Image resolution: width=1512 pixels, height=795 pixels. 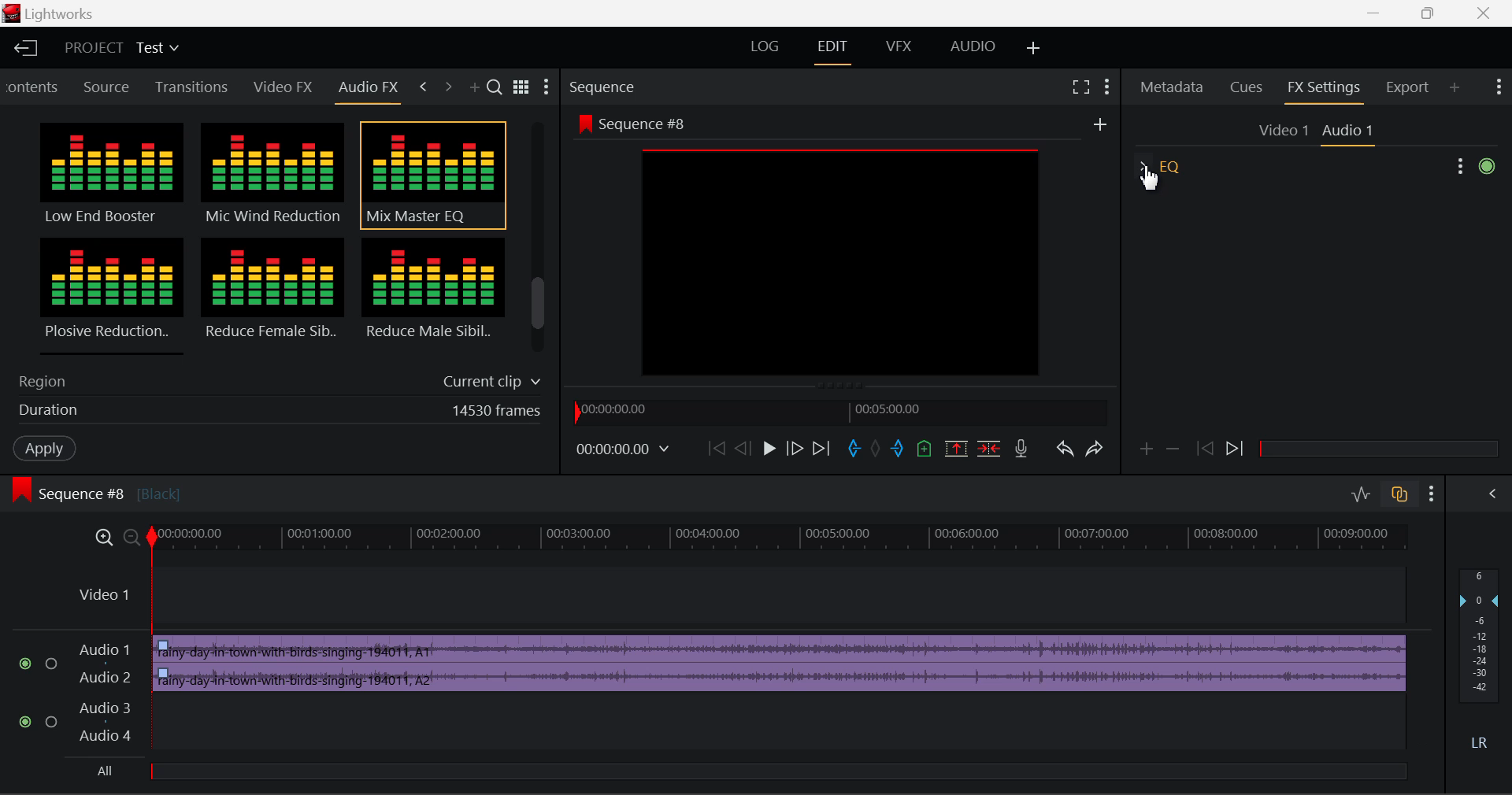 I want to click on Audio 1 Settings, so click(x=1350, y=131).